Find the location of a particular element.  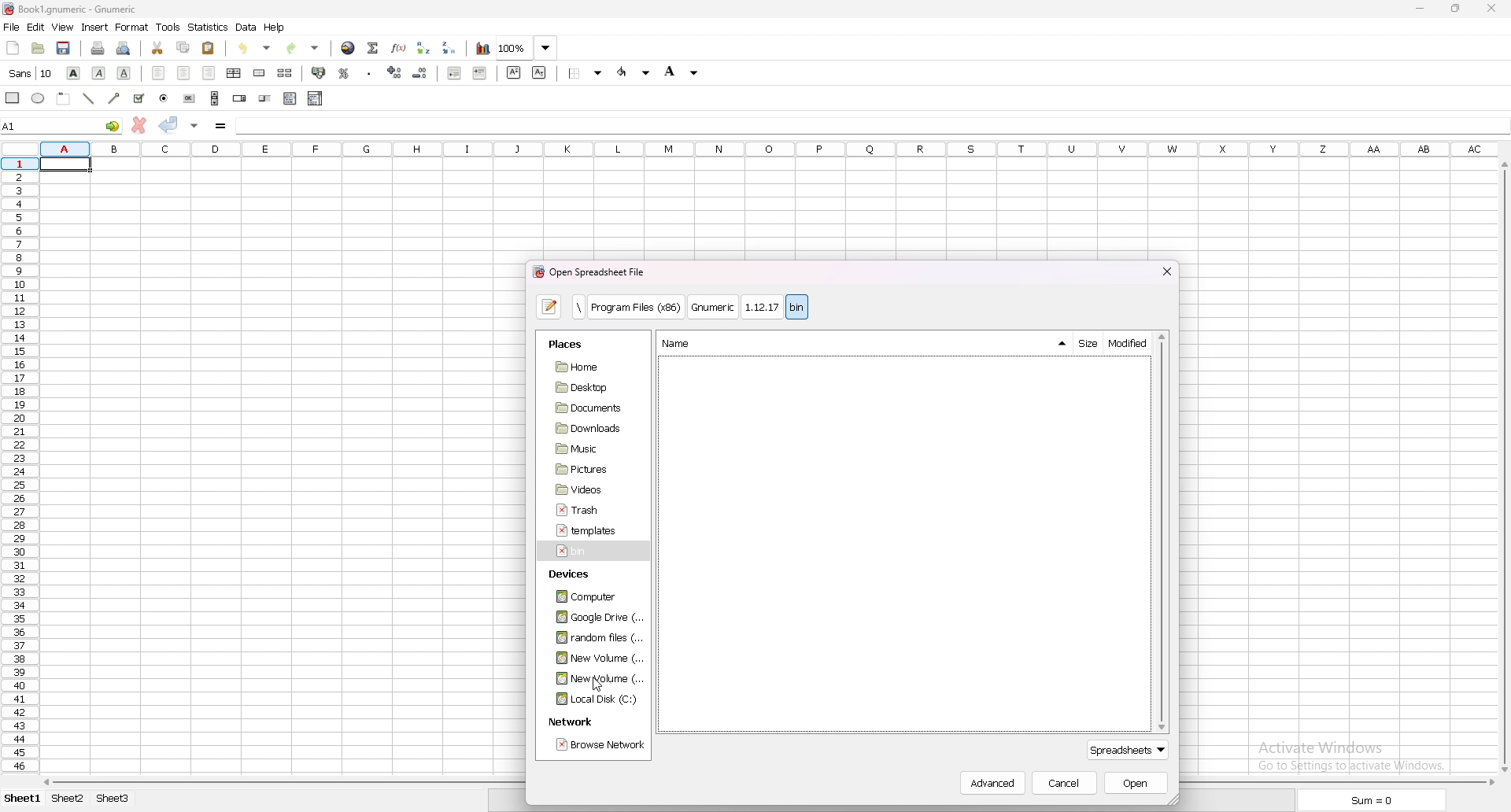

percentage is located at coordinates (344, 72).